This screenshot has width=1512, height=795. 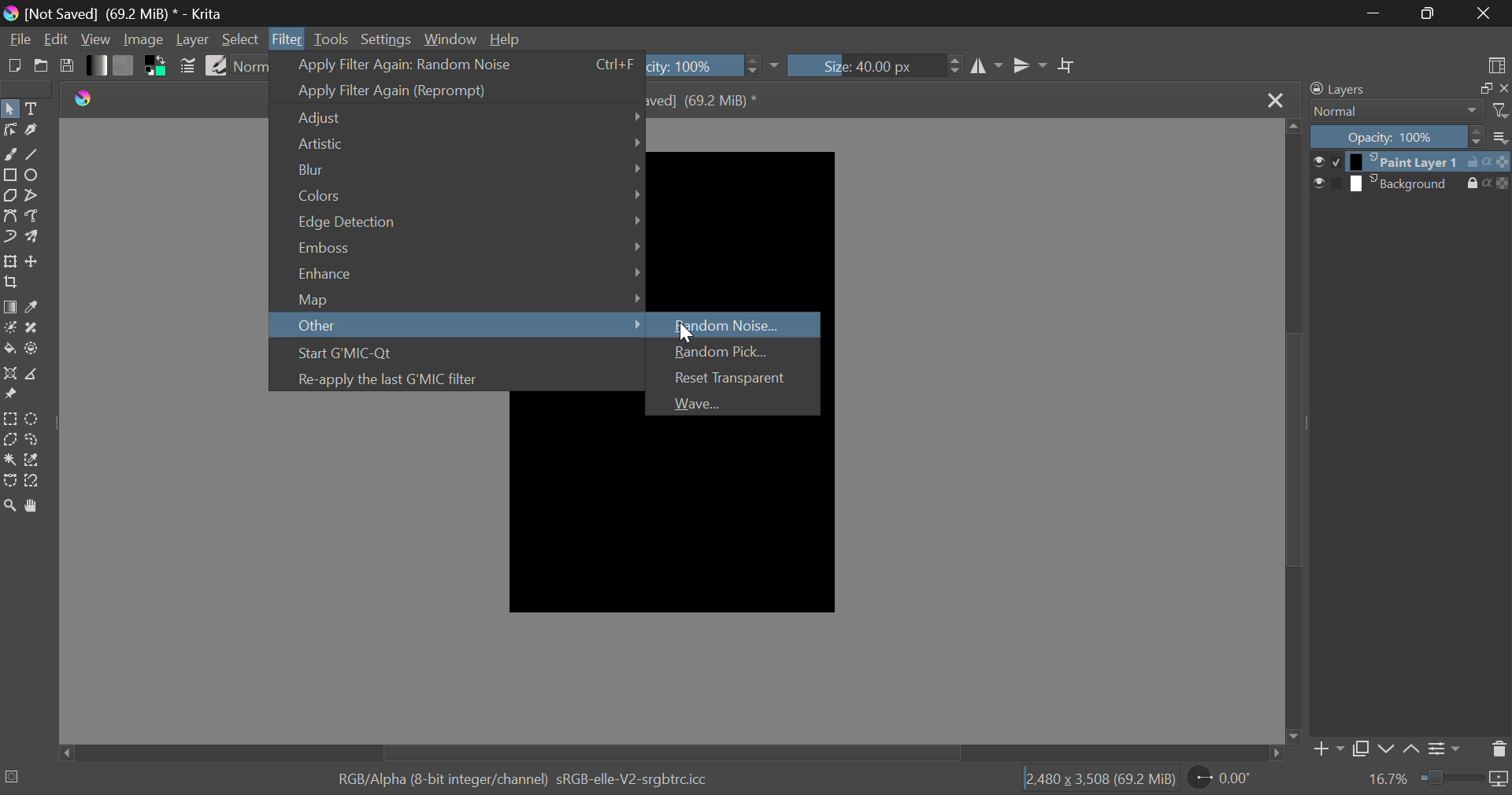 What do you see at coordinates (1316, 160) in the screenshot?
I see `select` at bounding box center [1316, 160].